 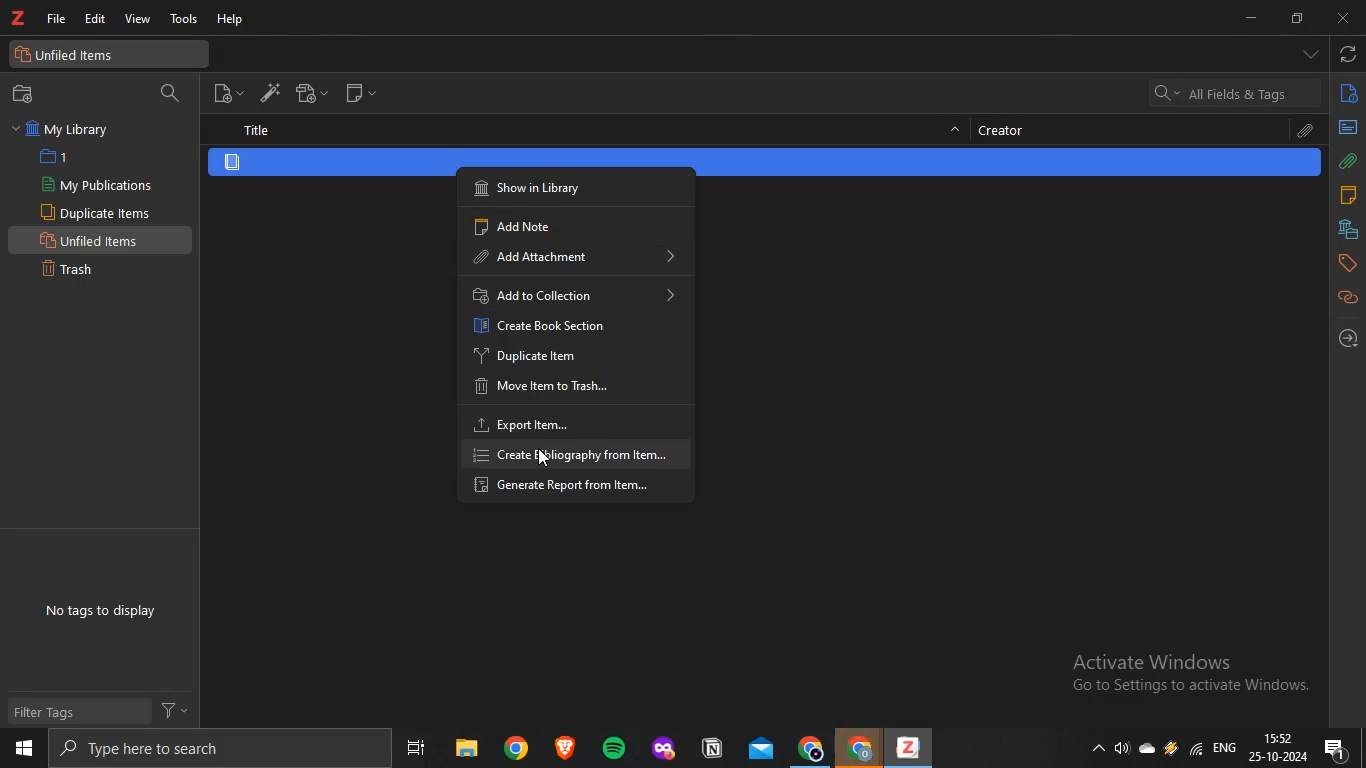 What do you see at coordinates (1348, 262) in the screenshot?
I see `tags` at bounding box center [1348, 262].